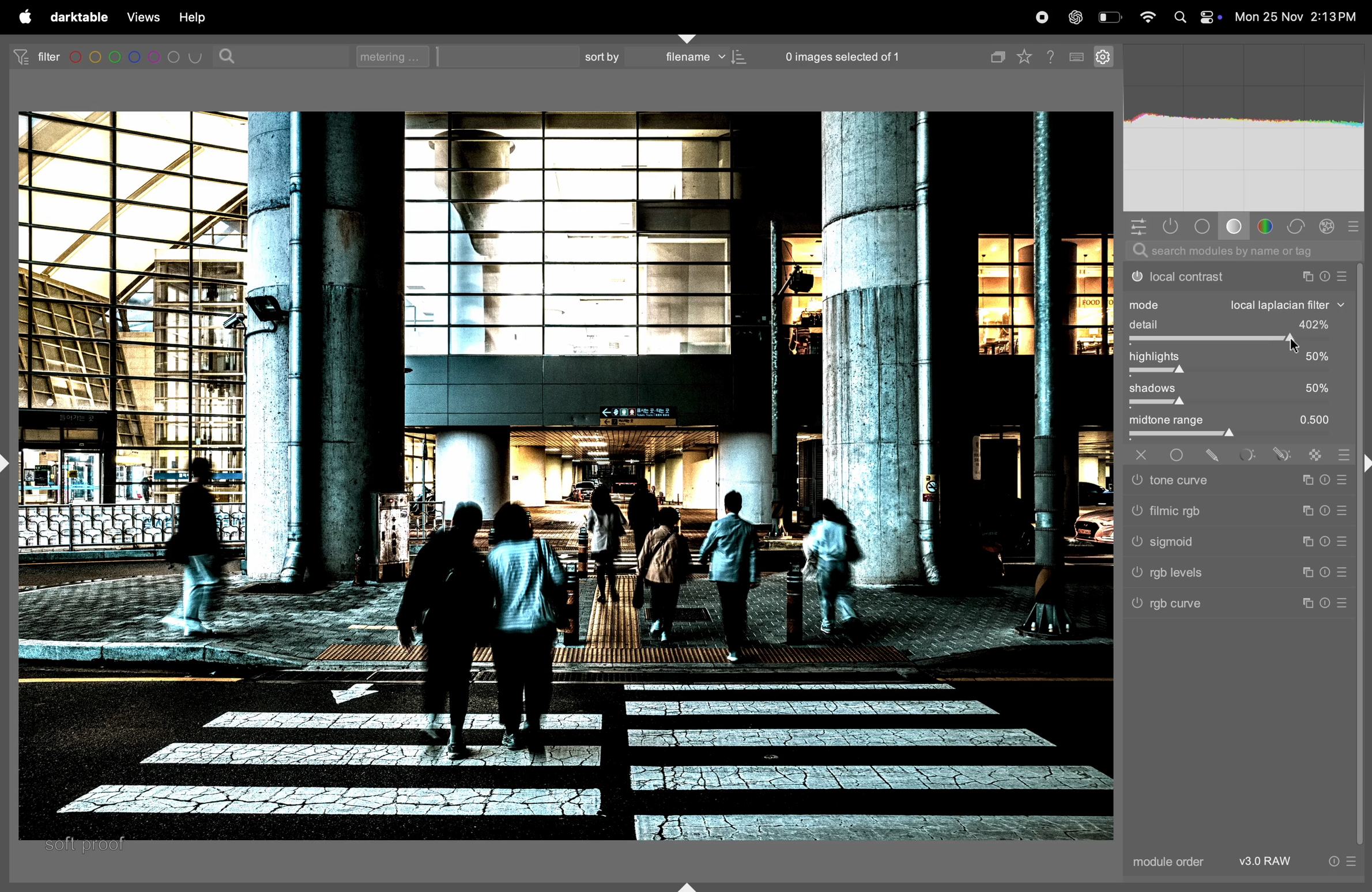  I want to click on uniformly, so click(1178, 456).